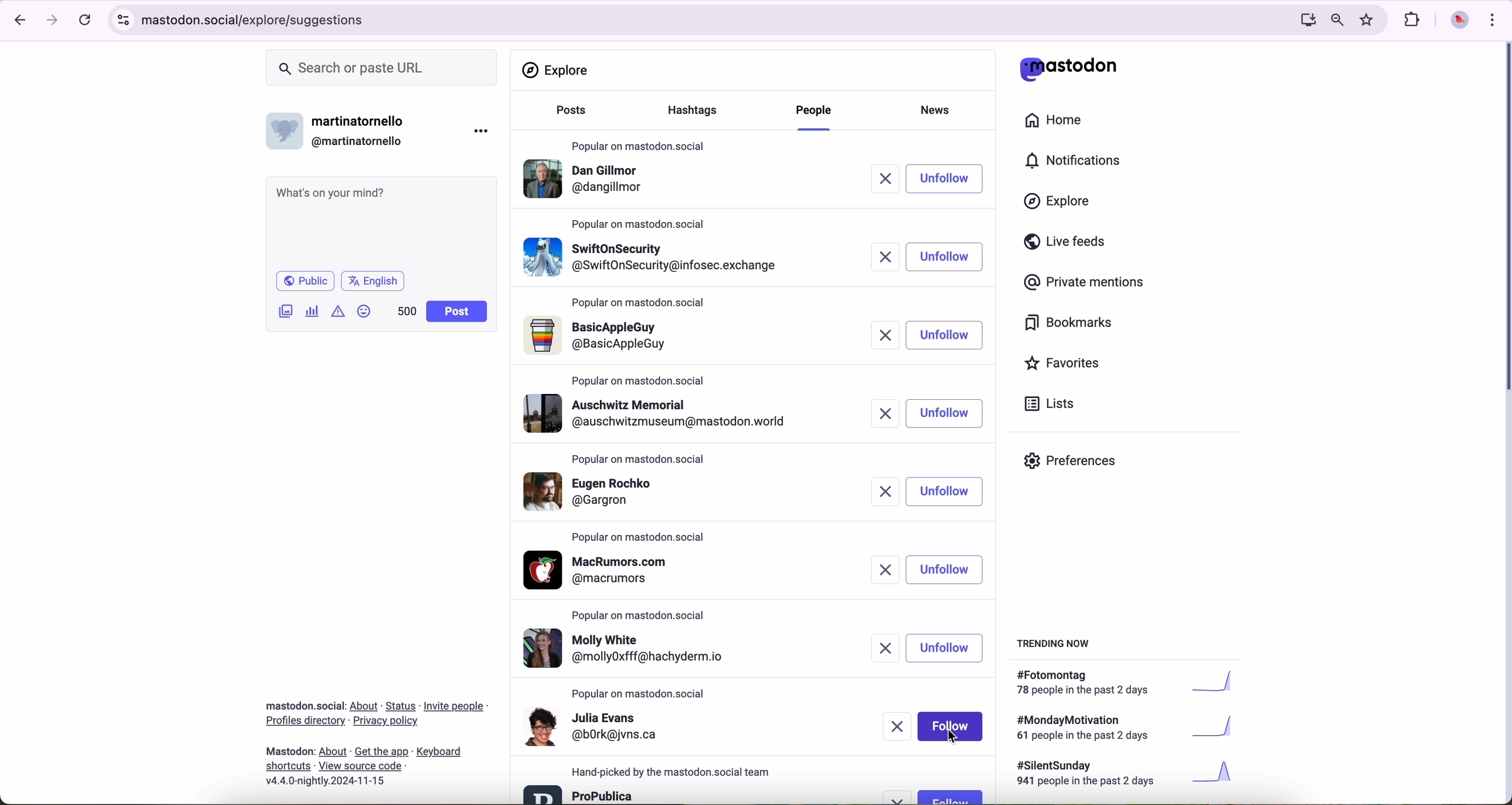  What do you see at coordinates (889, 336) in the screenshot?
I see `remove` at bounding box center [889, 336].